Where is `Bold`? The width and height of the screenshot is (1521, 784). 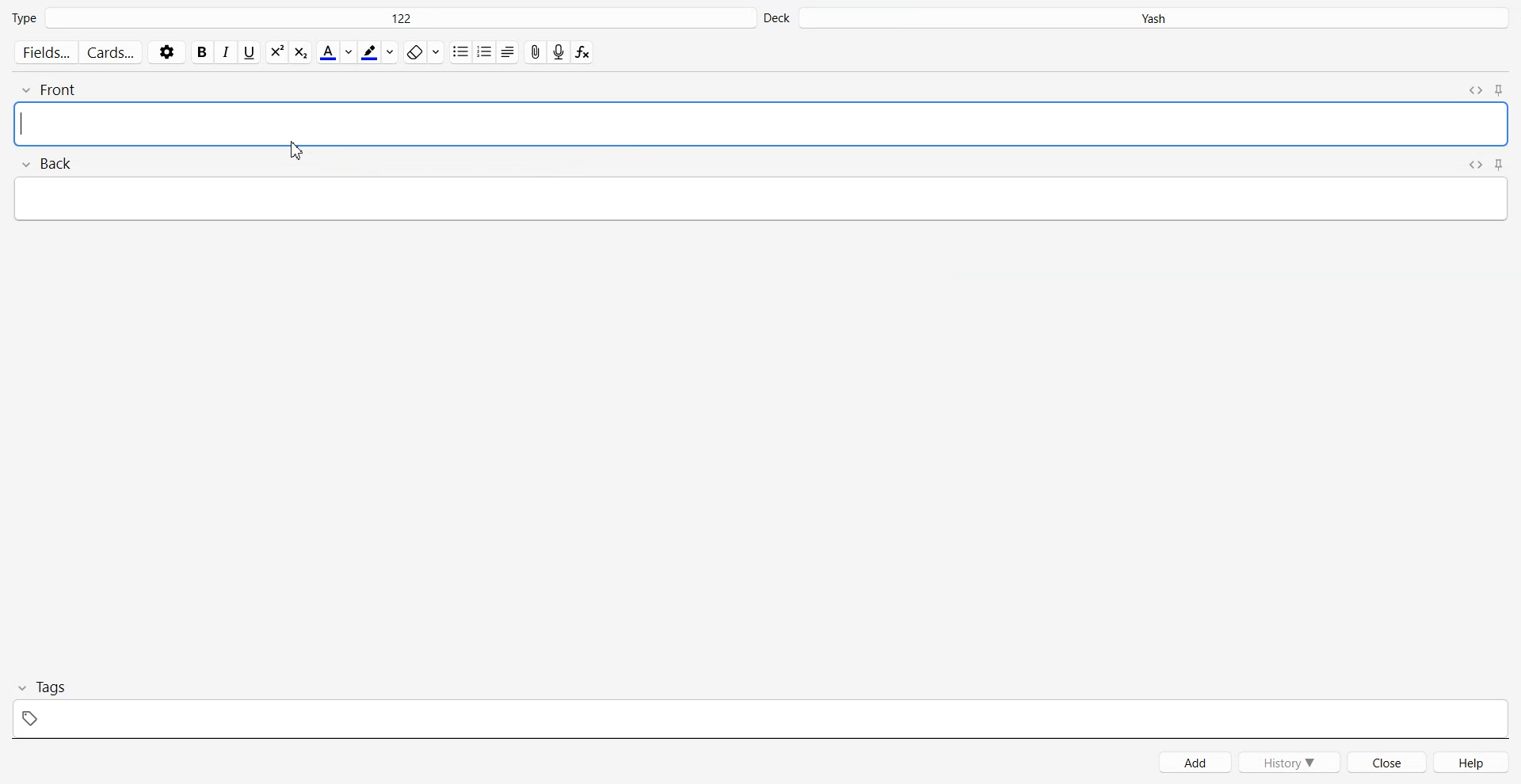
Bold is located at coordinates (202, 52).